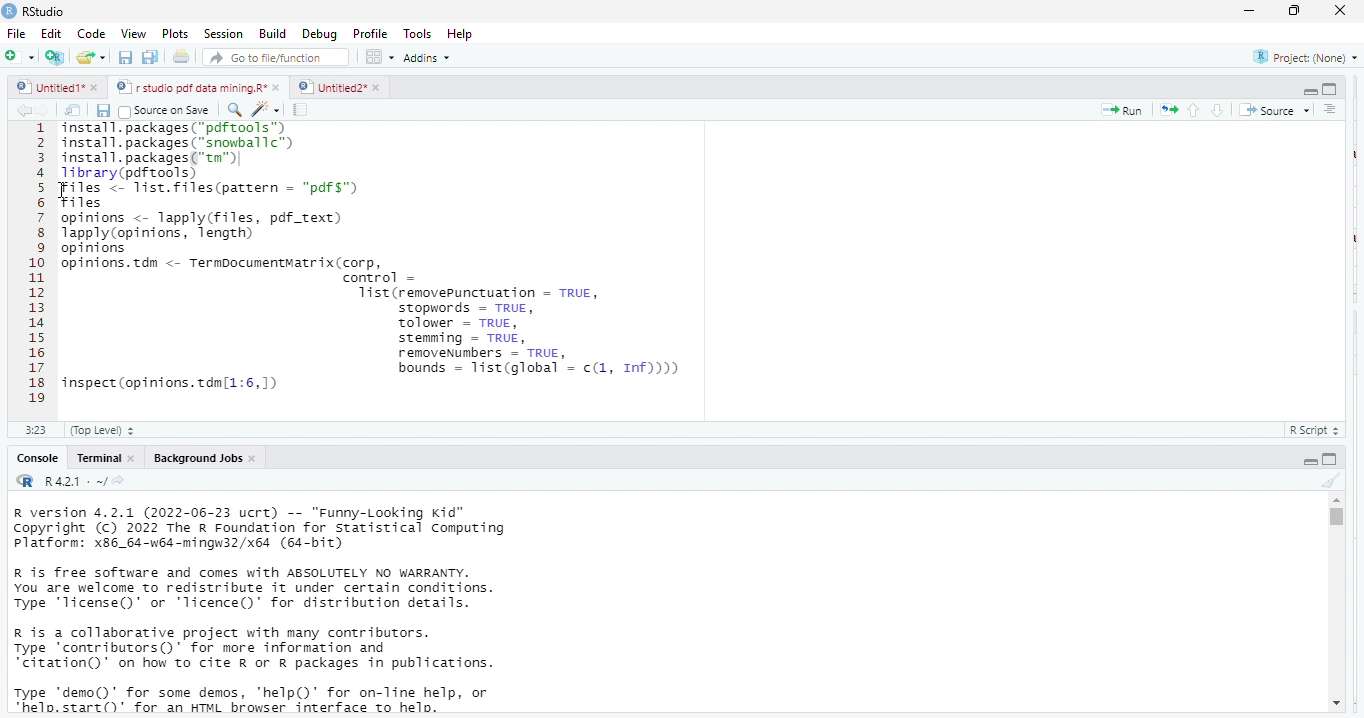 The image size is (1364, 718). What do you see at coordinates (47, 110) in the screenshot?
I see `go forward to the next source location` at bounding box center [47, 110].